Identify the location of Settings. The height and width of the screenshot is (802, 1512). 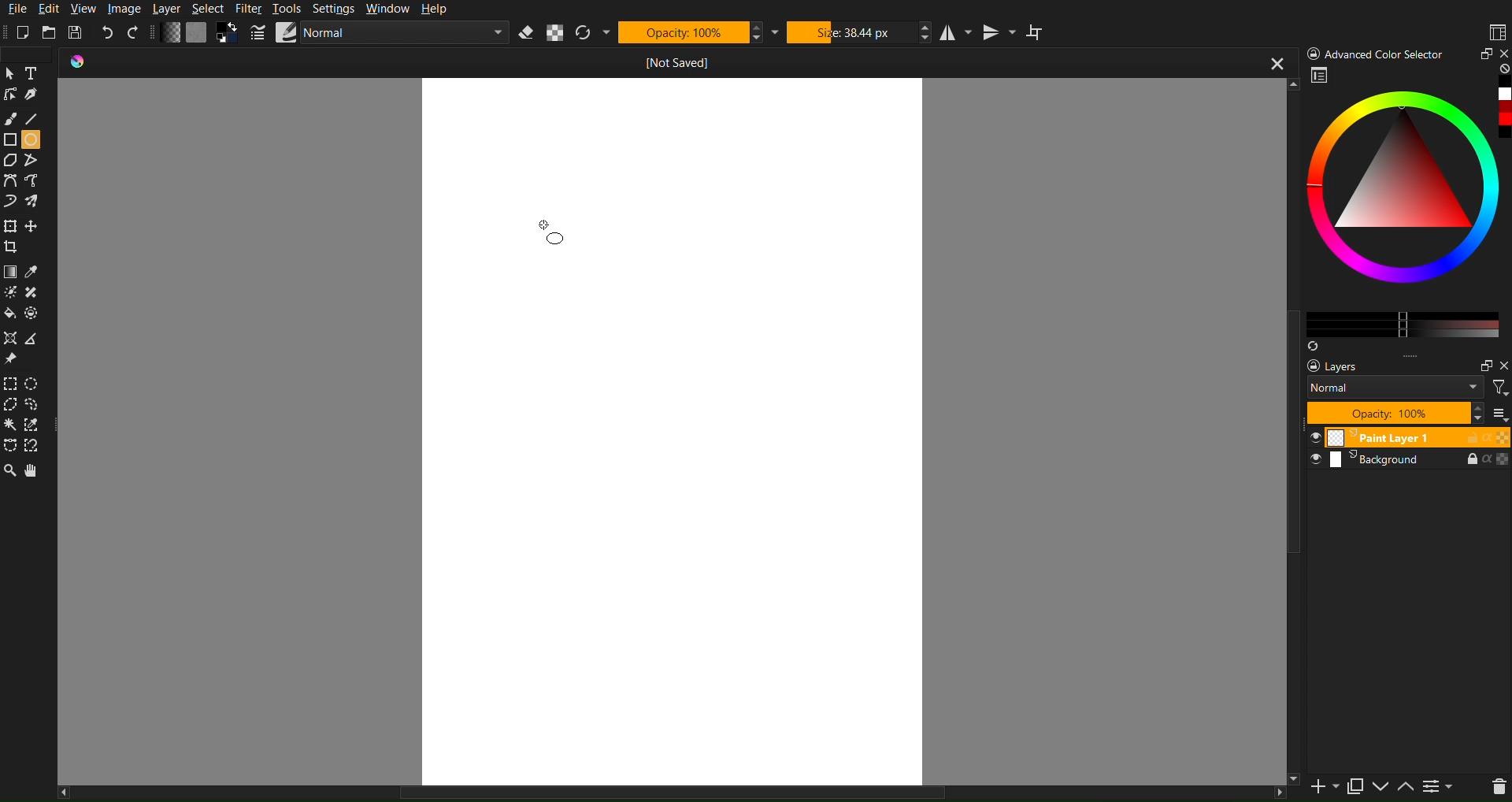
(337, 9).